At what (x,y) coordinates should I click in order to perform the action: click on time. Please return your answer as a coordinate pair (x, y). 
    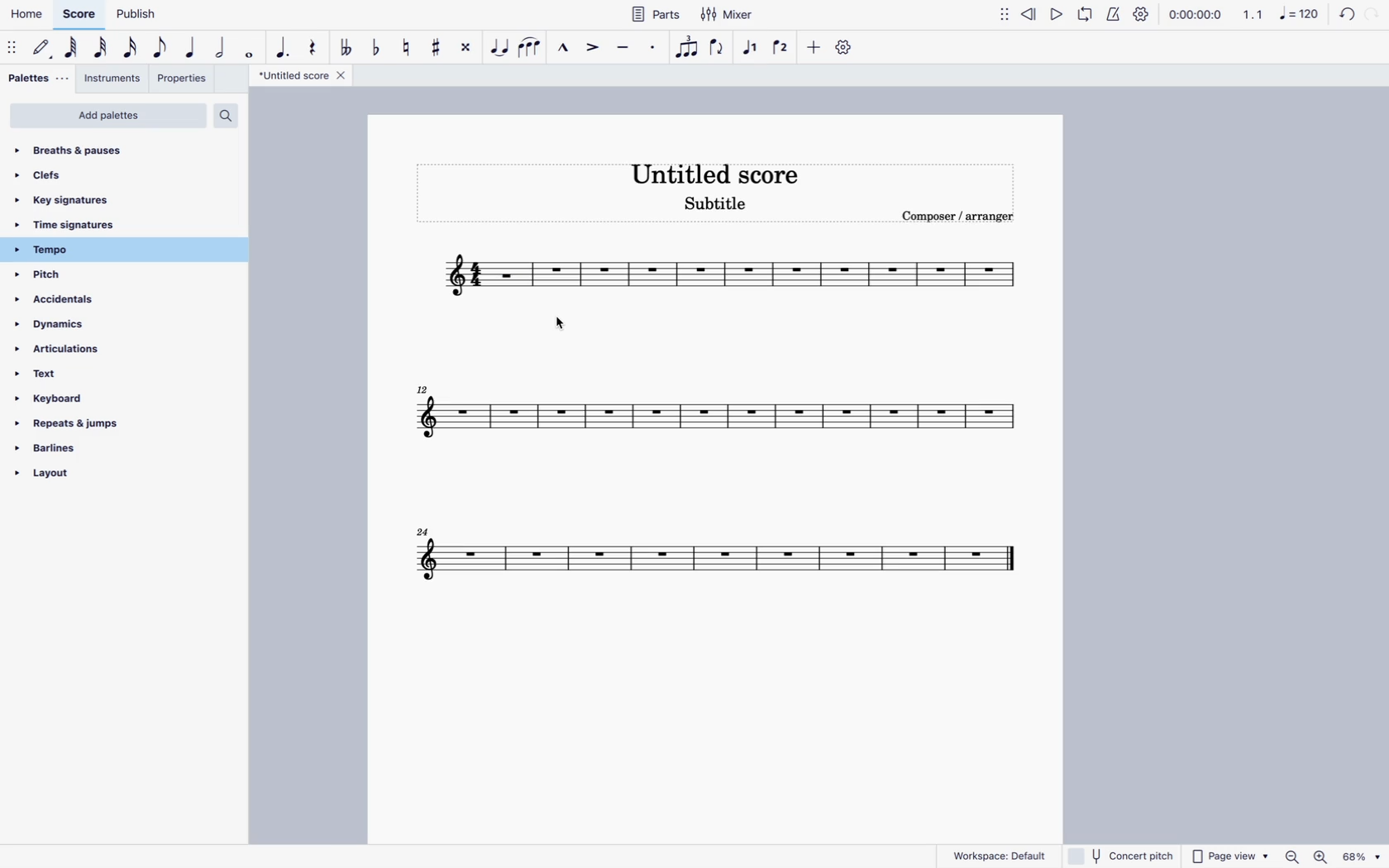
    Looking at the image, I should click on (1196, 15).